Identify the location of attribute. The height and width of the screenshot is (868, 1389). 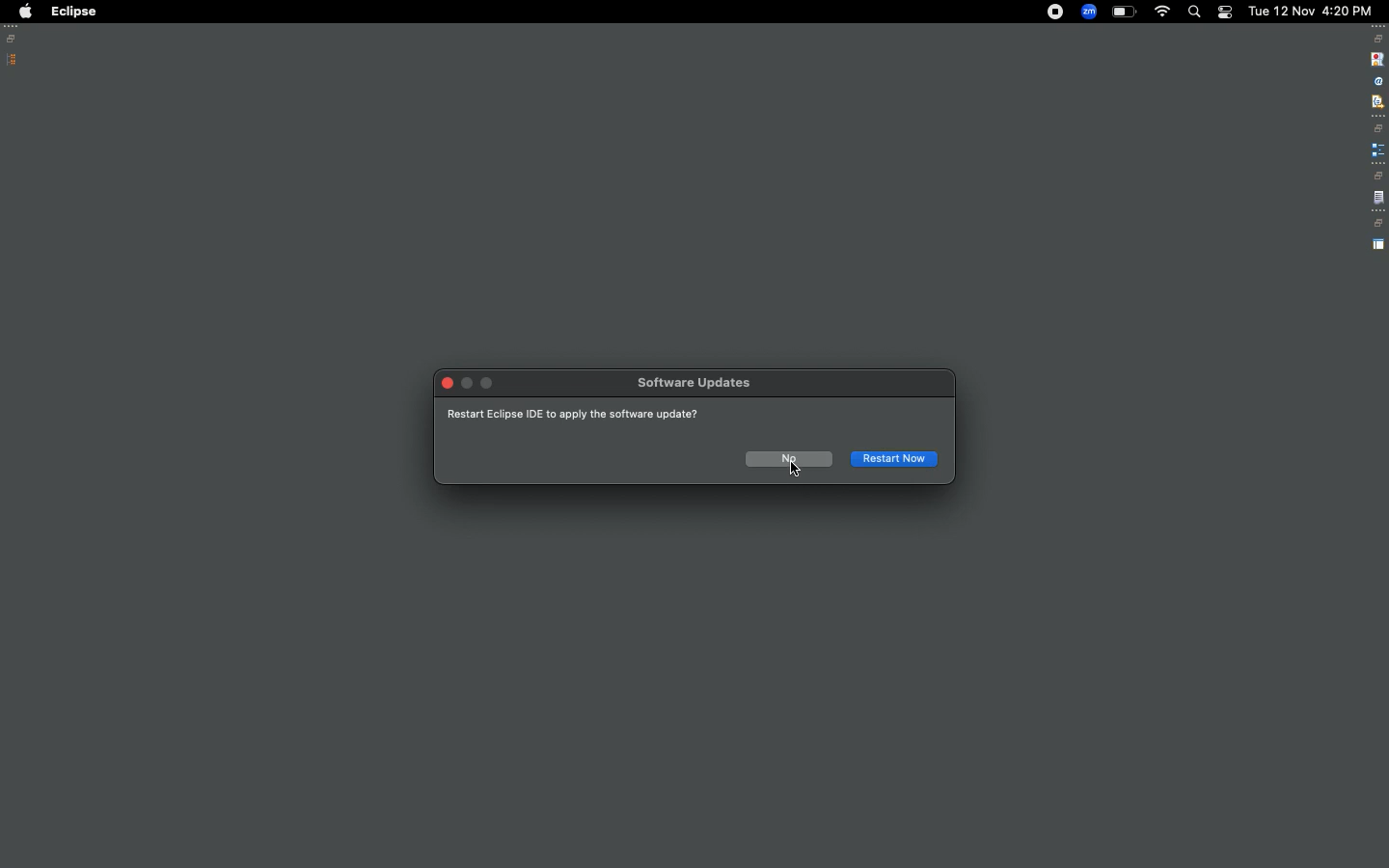
(1376, 82).